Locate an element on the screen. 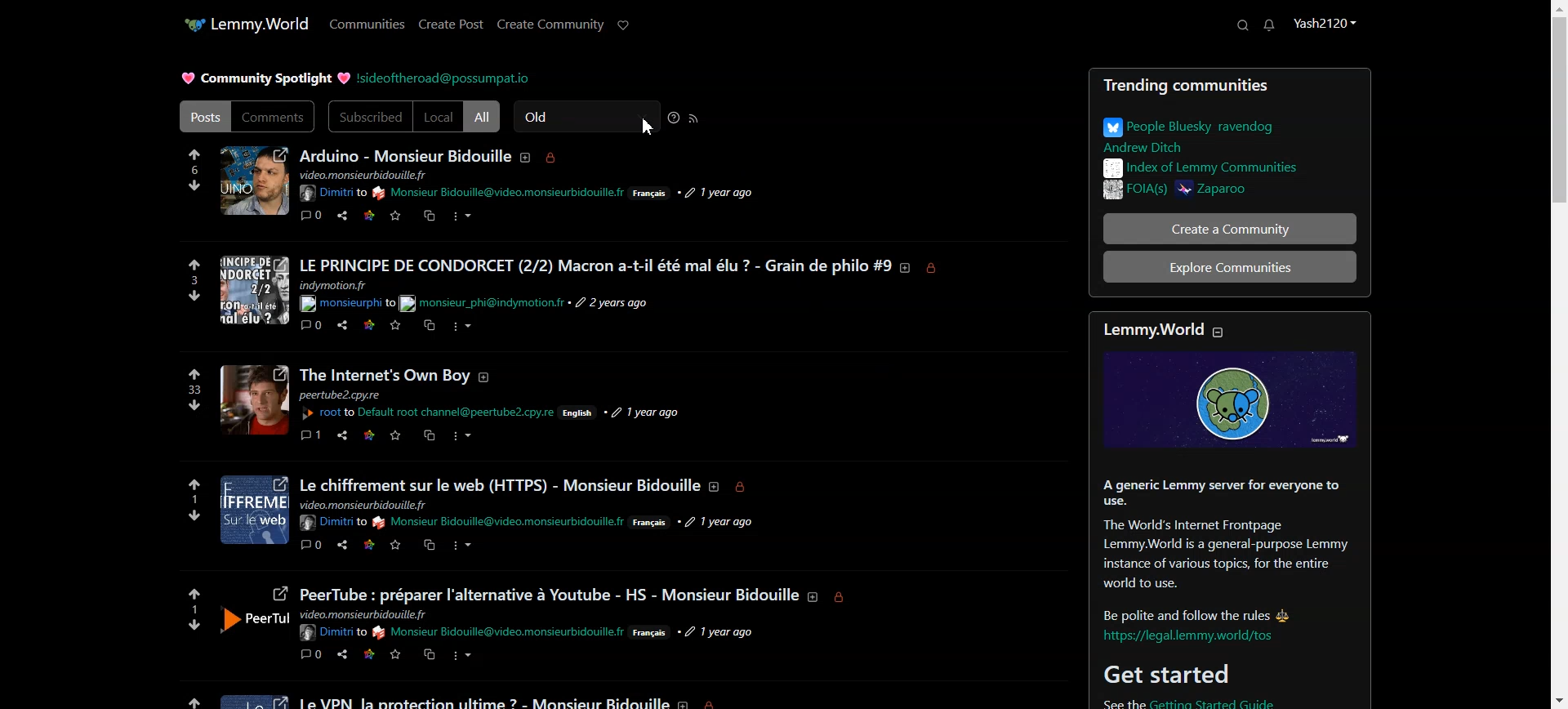 This screenshot has height=709, width=1568. downvote is located at coordinates (197, 296).